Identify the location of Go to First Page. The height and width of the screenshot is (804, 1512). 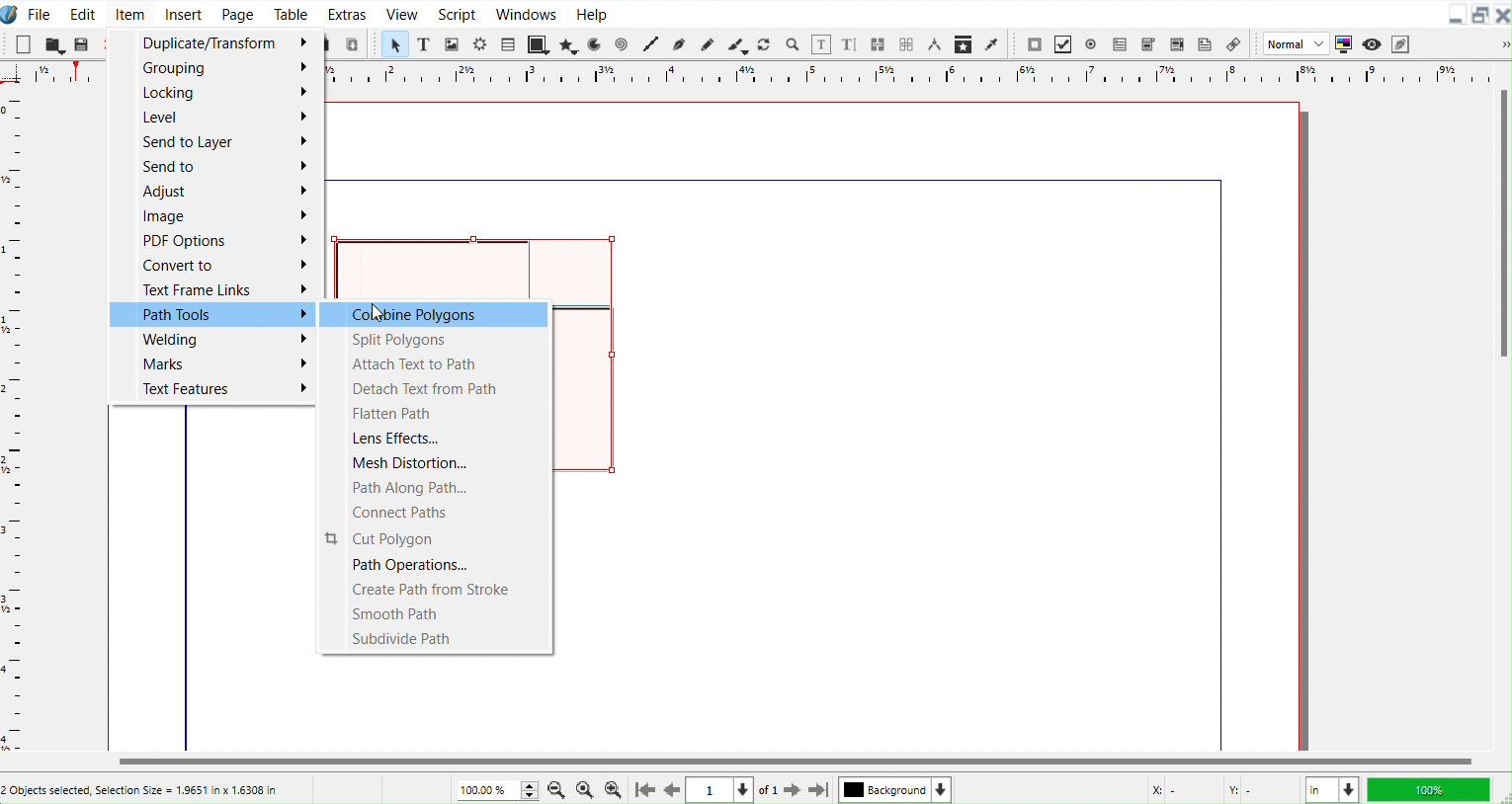
(643, 790).